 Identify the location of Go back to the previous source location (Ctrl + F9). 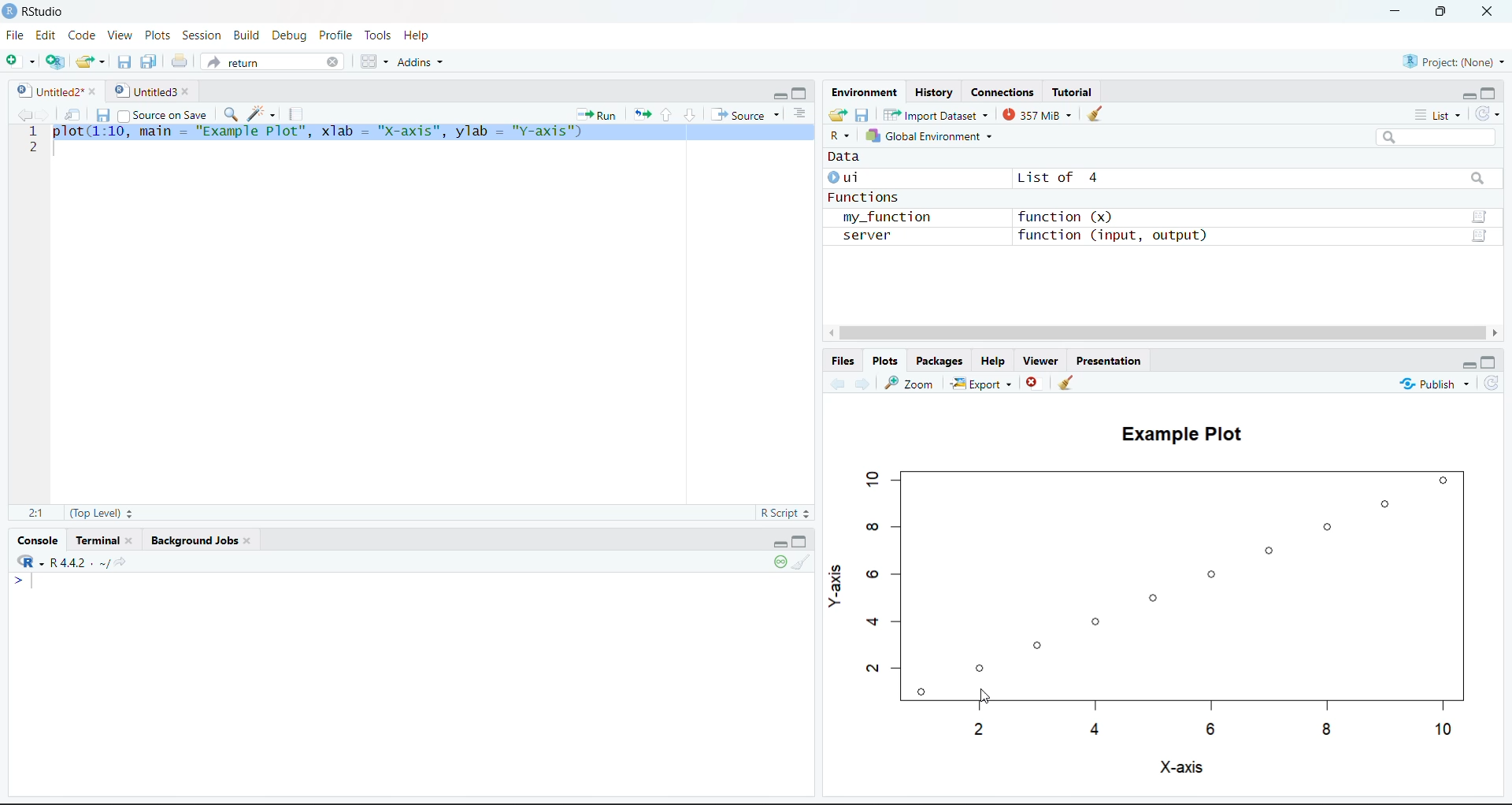
(21, 113).